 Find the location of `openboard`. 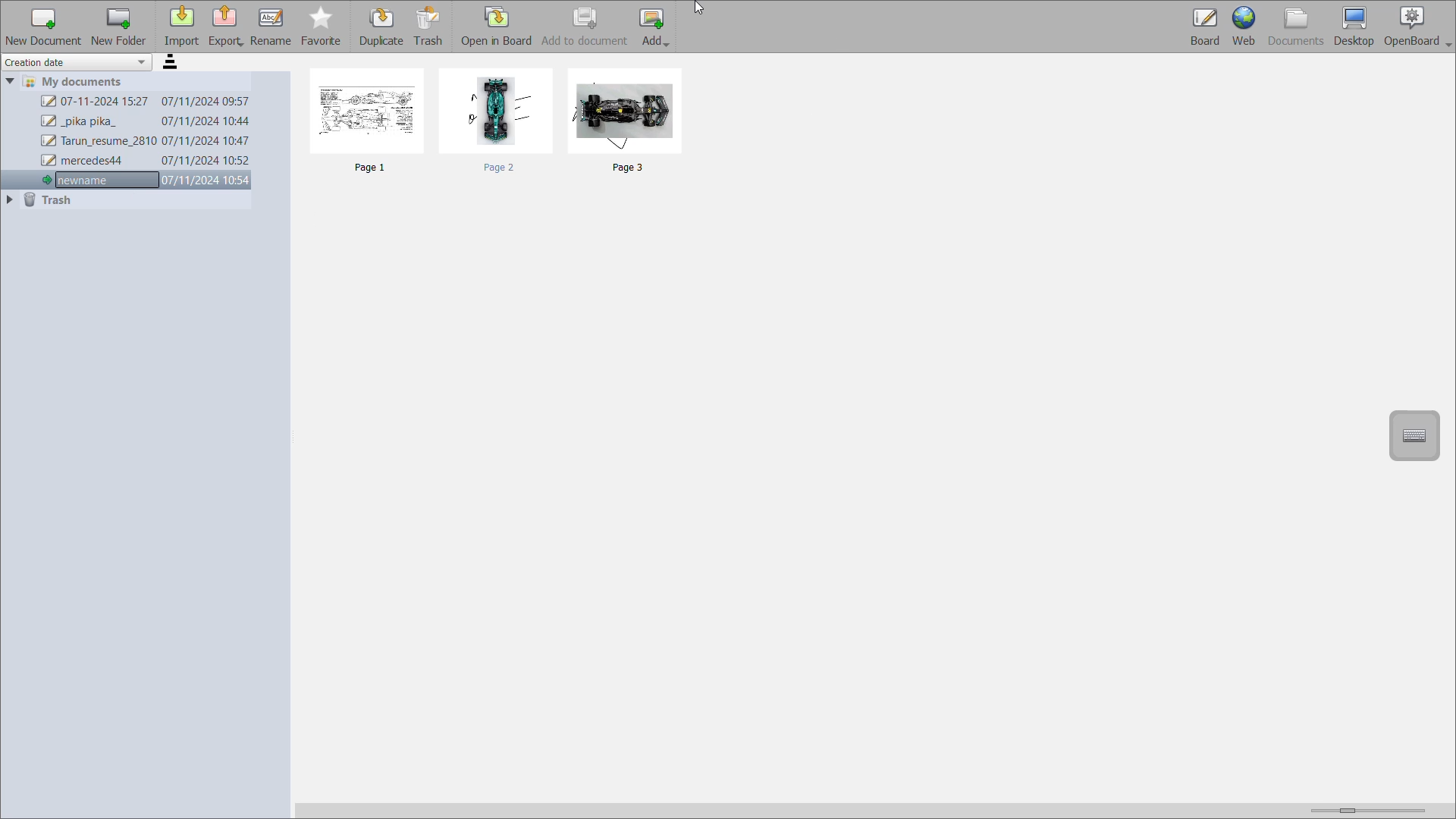

openboard is located at coordinates (1418, 26).